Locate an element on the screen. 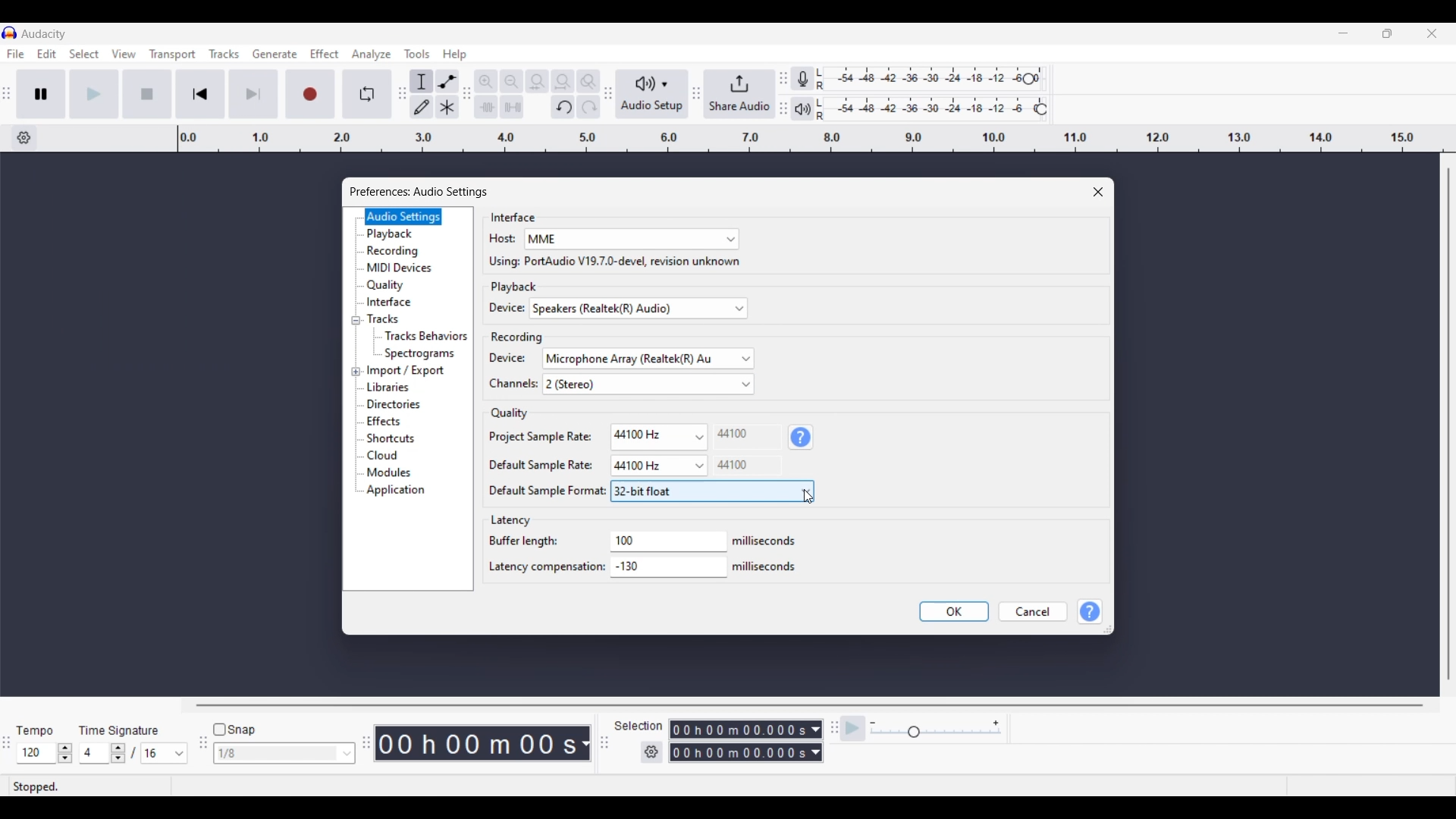  cursor is located at coordinates (810, 497).